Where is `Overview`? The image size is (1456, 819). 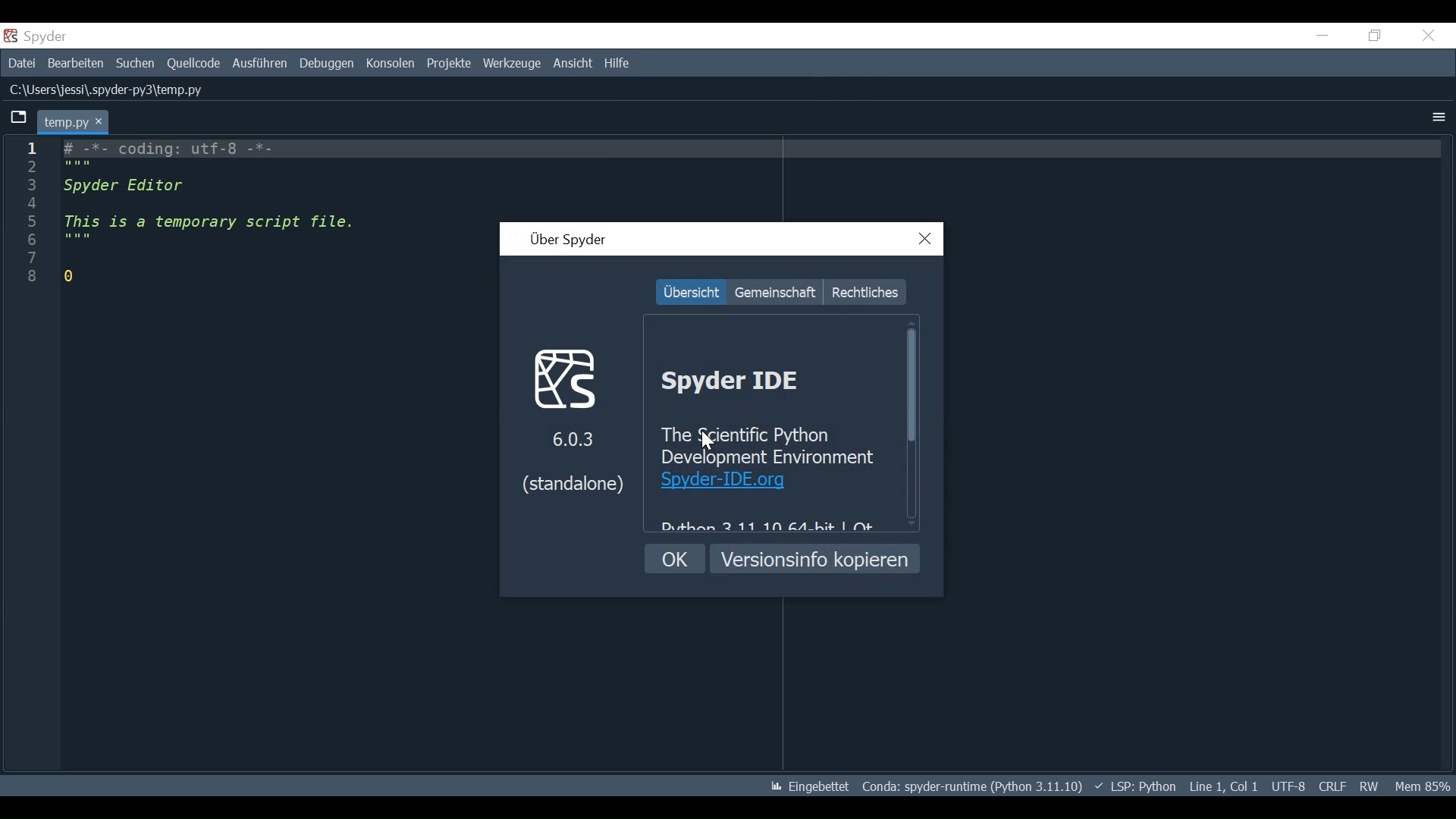
Overview is located at coordinates (690, 292).